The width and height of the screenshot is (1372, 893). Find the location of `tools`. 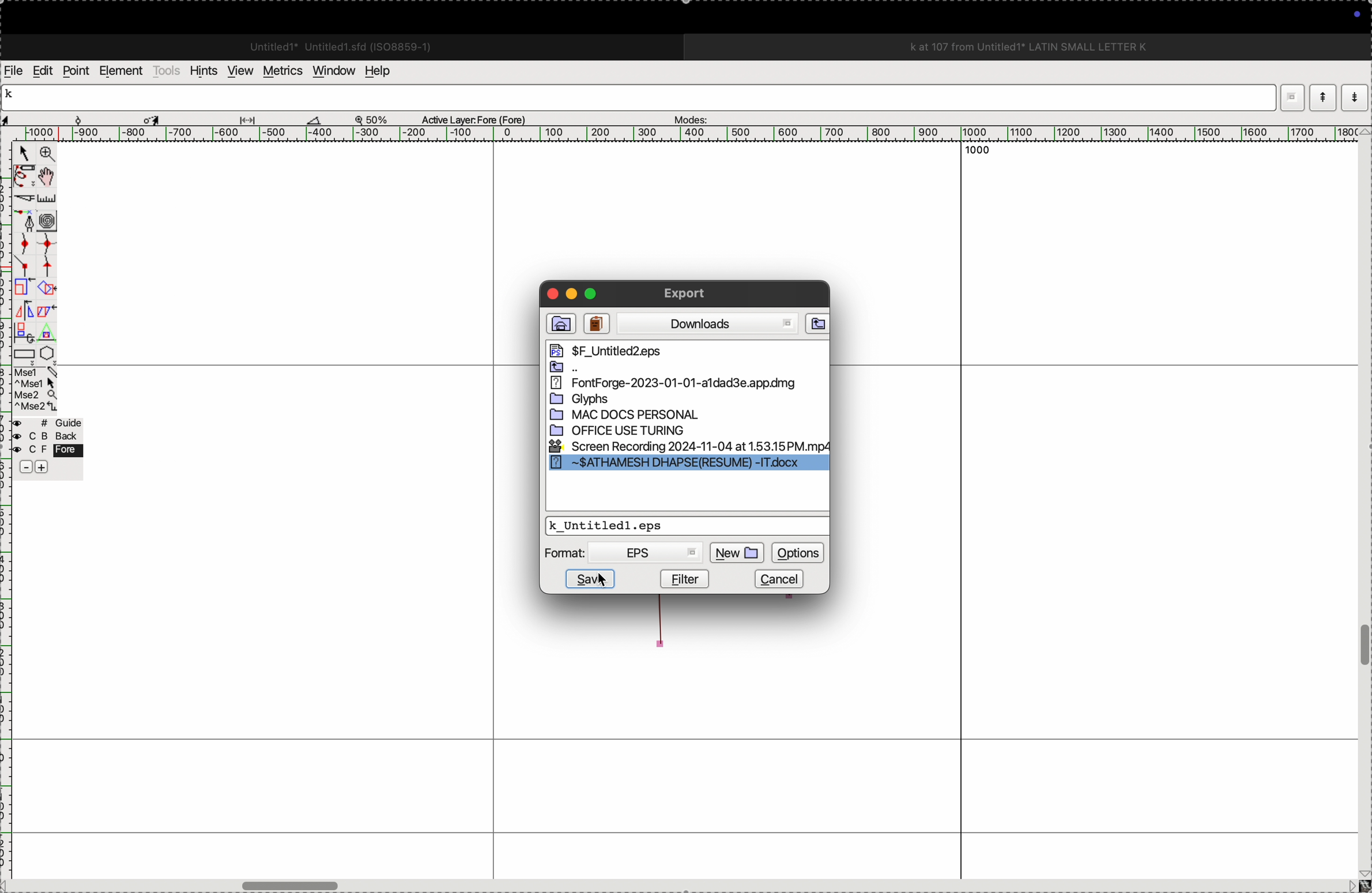

tools is located at coordinates (167, 70).